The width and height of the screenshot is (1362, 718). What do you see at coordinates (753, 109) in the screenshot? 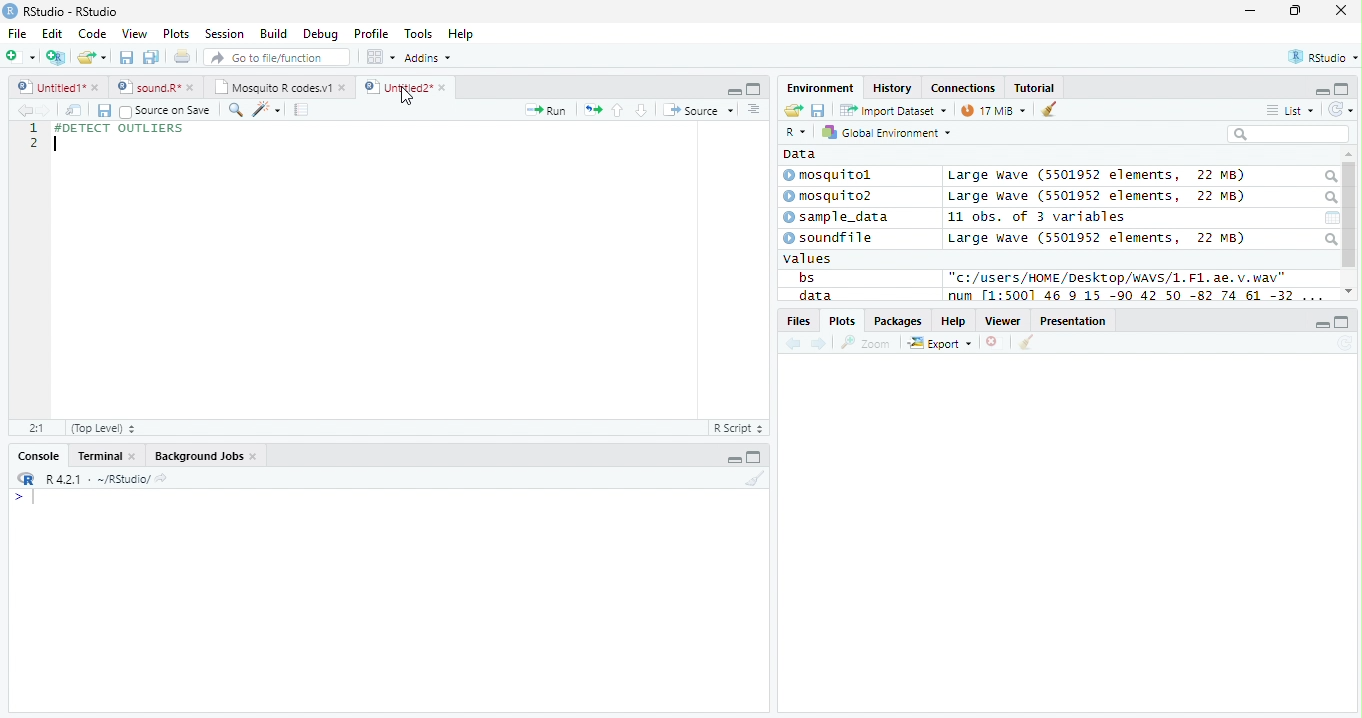
I see `Show document outline` at bounding box center [753, 109].